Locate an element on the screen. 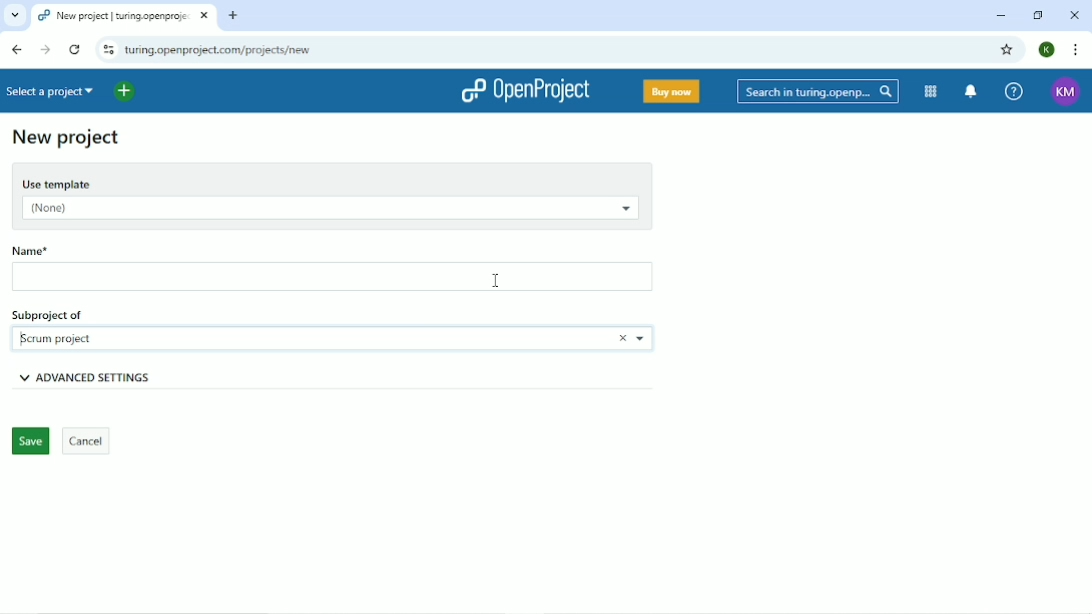 Image resolution: width=1092 pixels, height=614 pixels. View site information is located at coordinates (106, 49).